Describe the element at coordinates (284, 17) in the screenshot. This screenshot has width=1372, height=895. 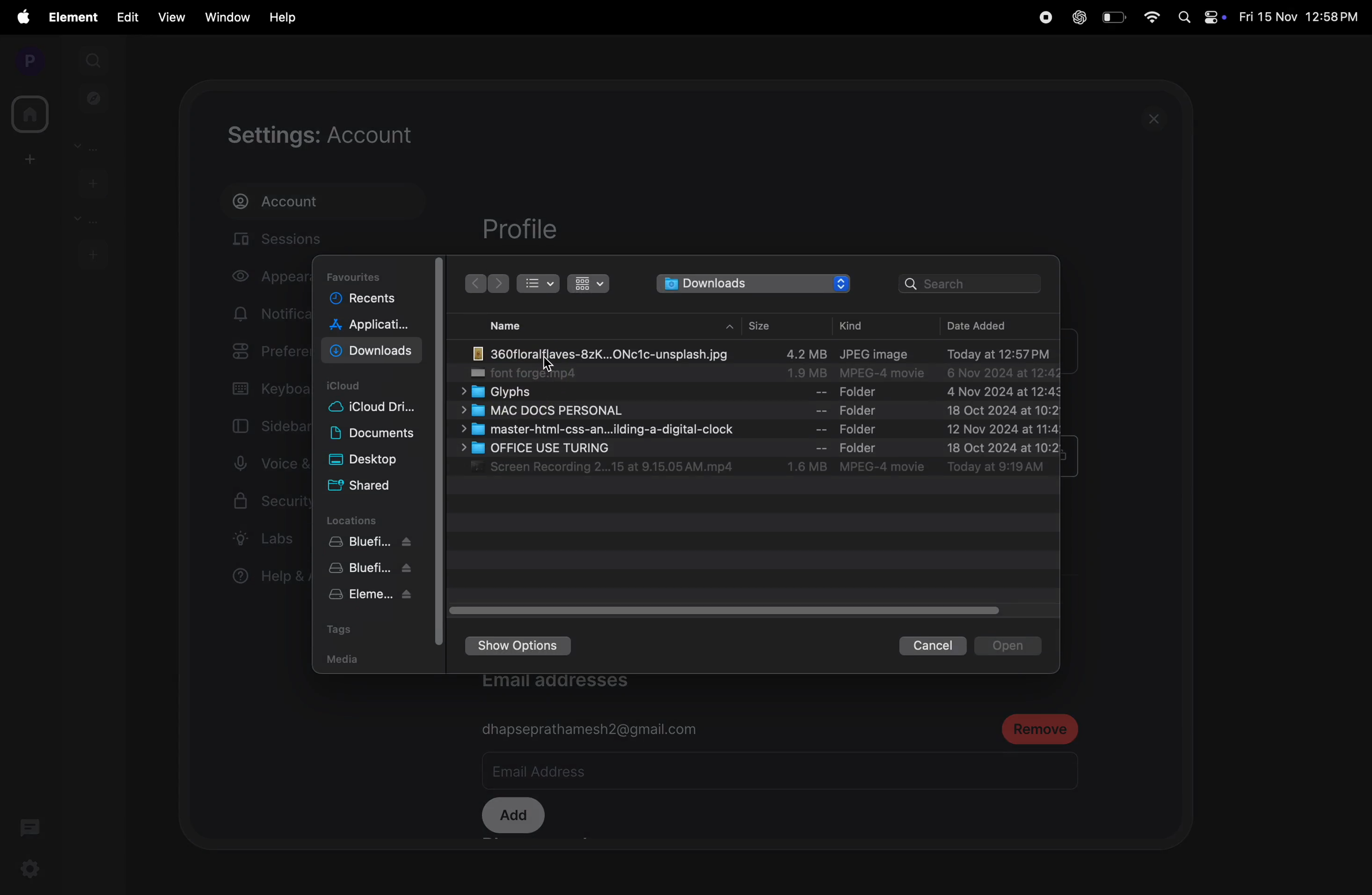
I see `Help` at that location.